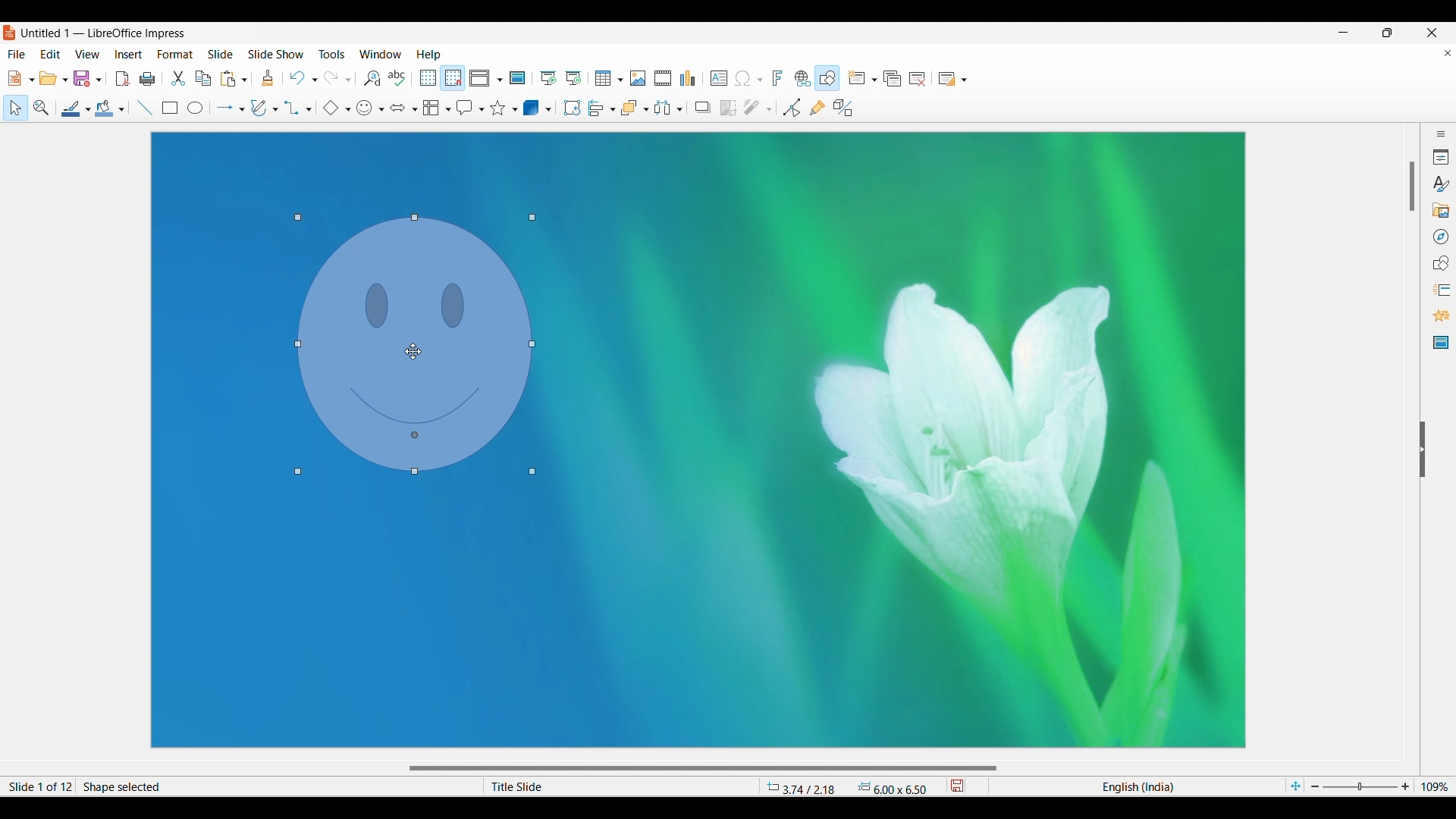 The image size is (1456, 819). What do you see at coordinates (49, 78) in the screenshot?
I see `Open` at bounding box center [49, 78].